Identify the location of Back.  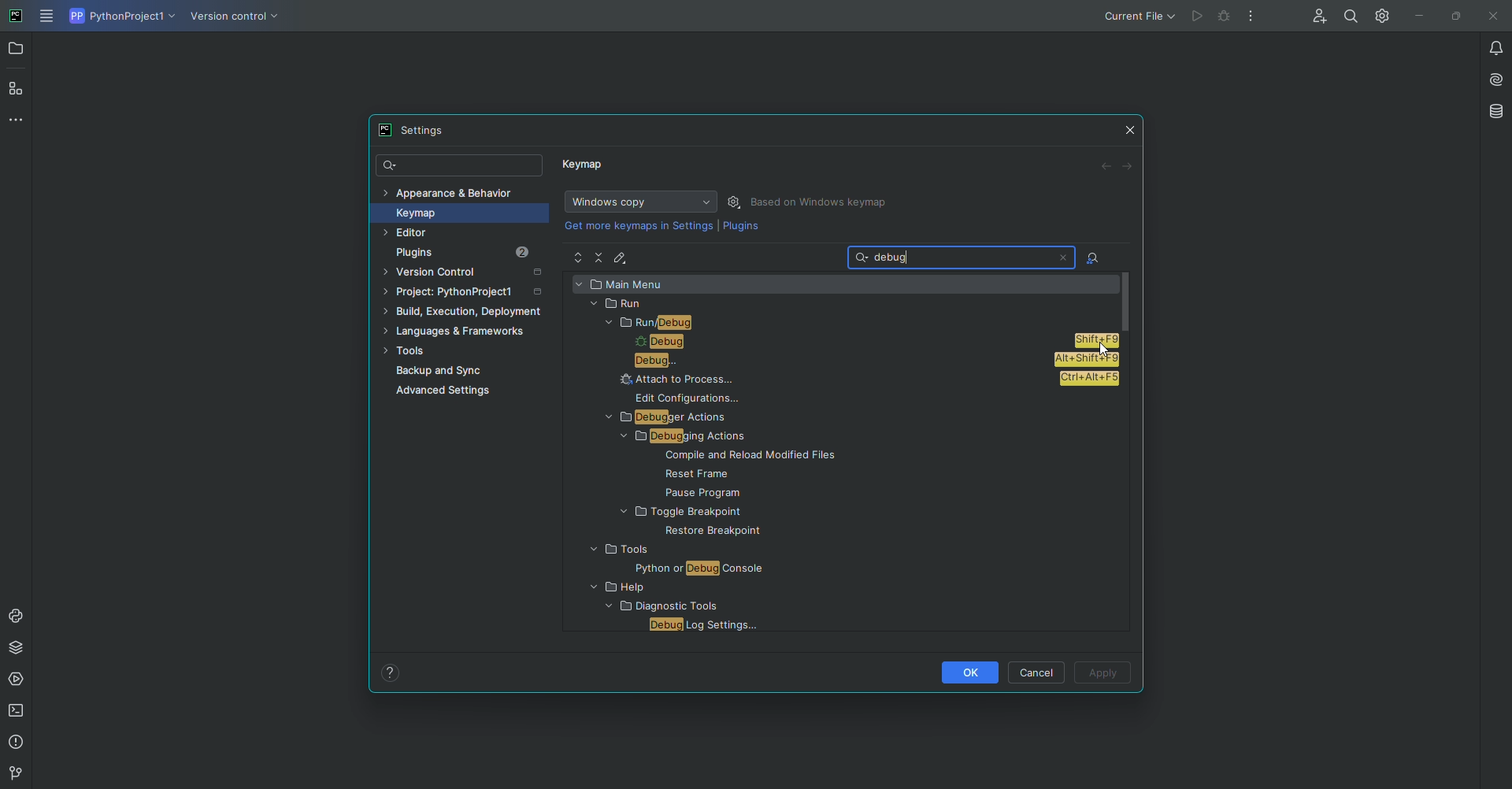
(1106, 167).